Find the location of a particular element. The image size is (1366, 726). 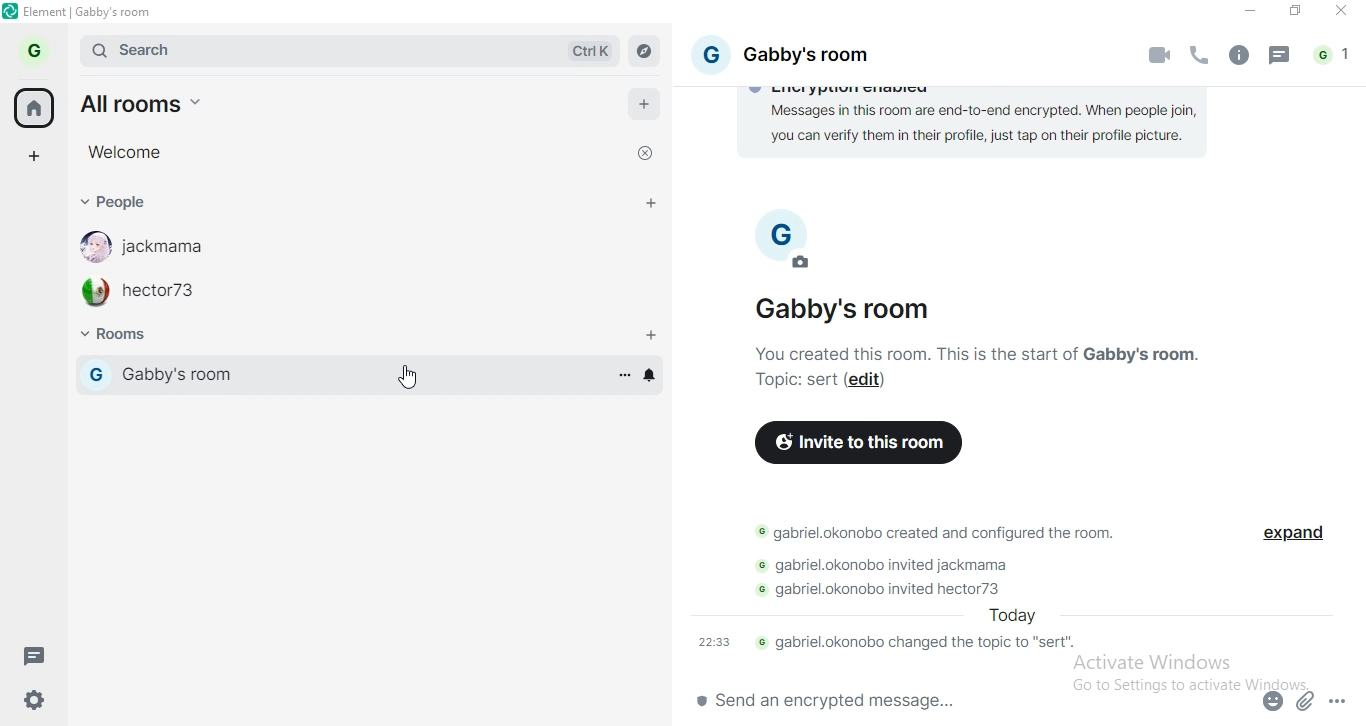

text 6 is located at coordinates (891, 644).